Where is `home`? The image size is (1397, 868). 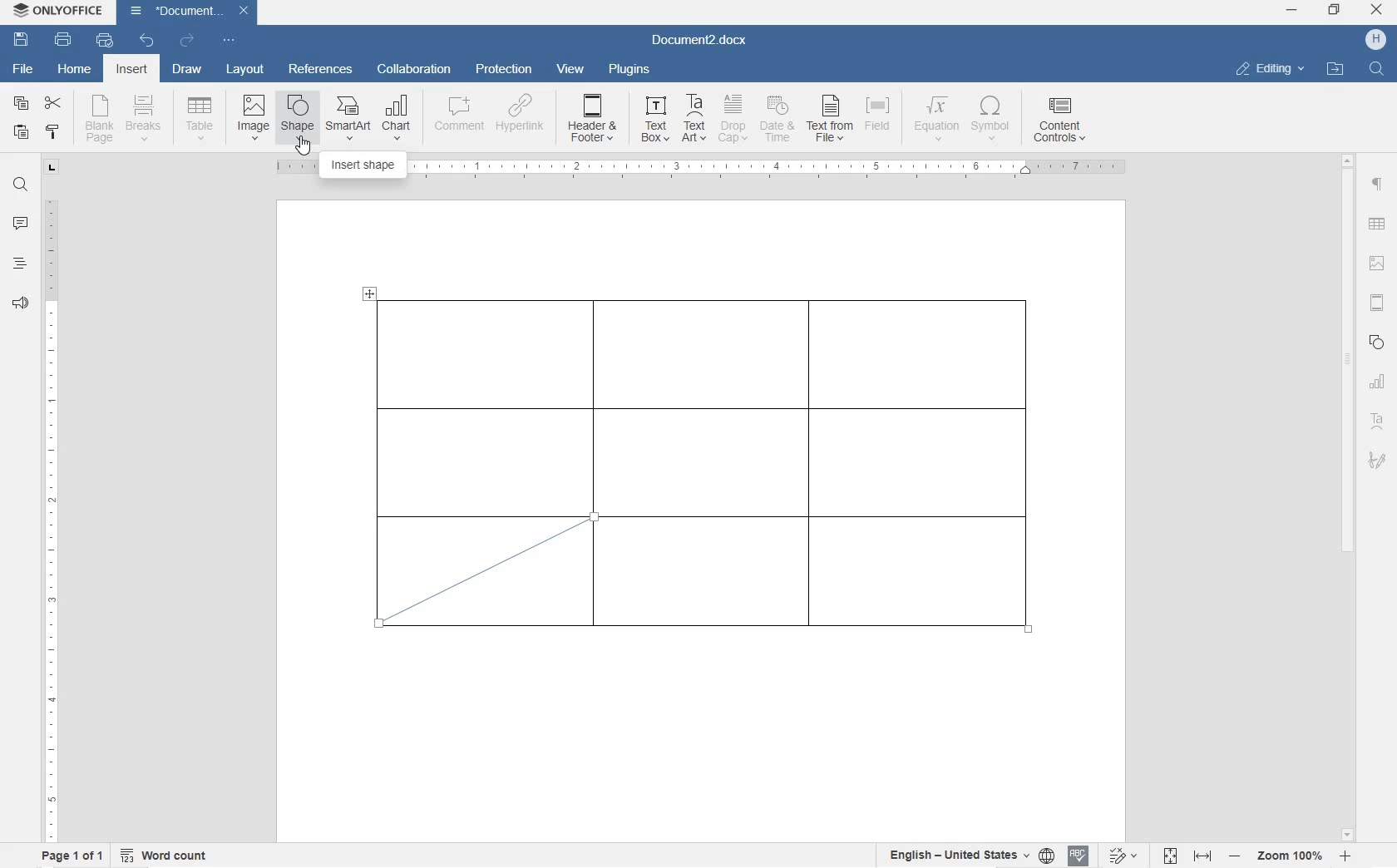 home is located at coordinates (76, 70).